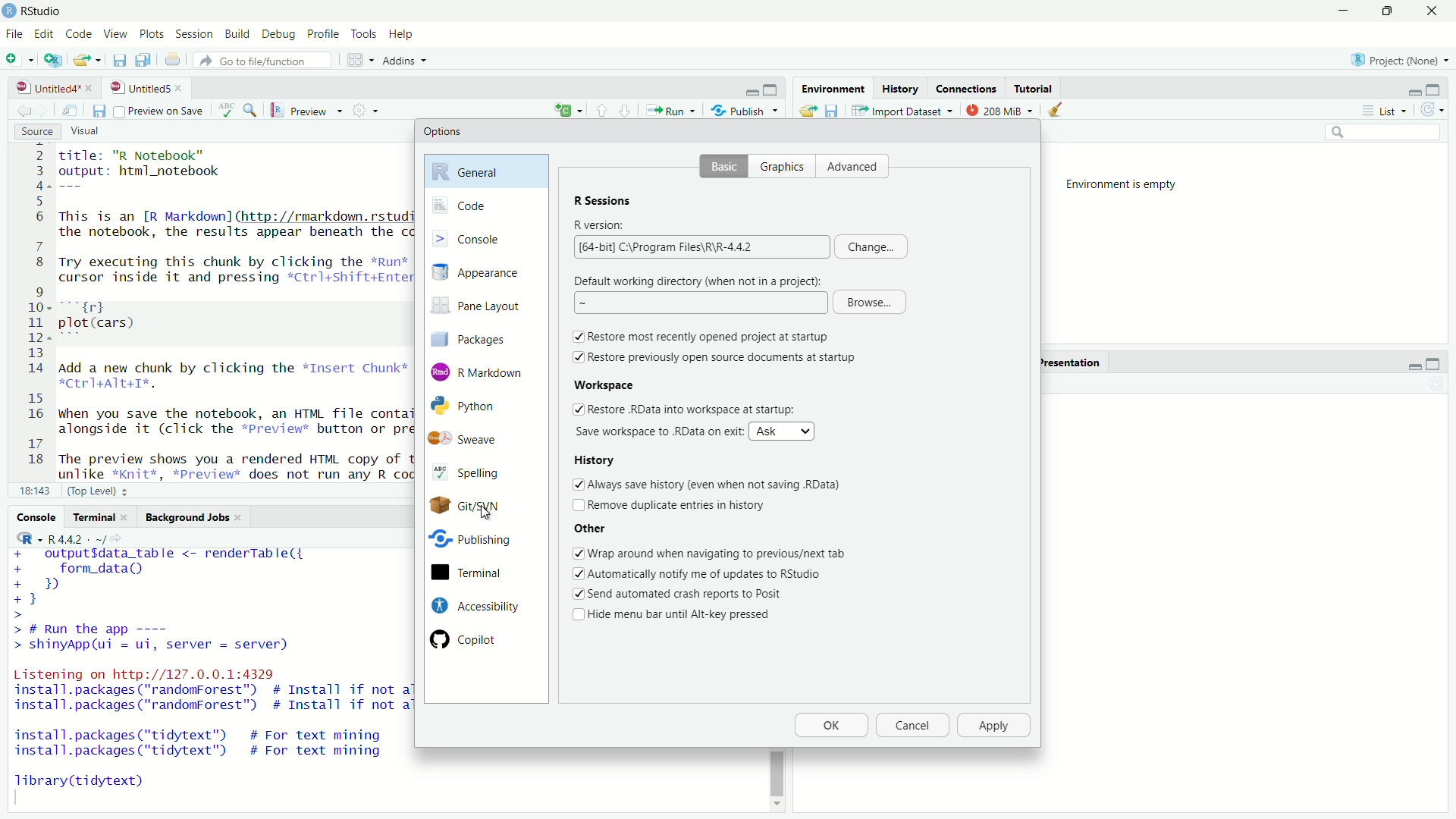 Image resolution: width=1456 pixels, height=819 pixels. I want to click on Code, so click(77, 35).